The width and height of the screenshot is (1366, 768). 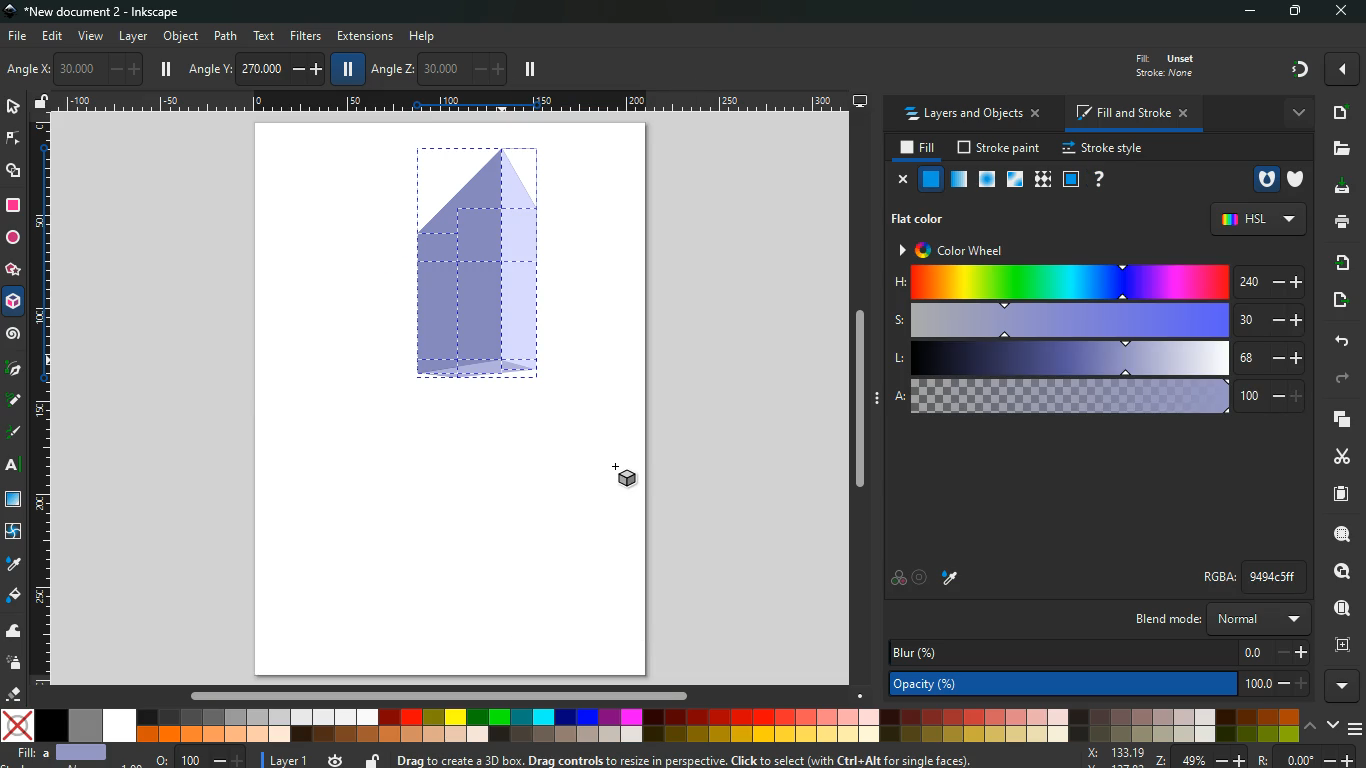 What do you see at coordinates (1211, 619) in the screenshot?
I see `blend mode` at bounding box center [1211, 619].